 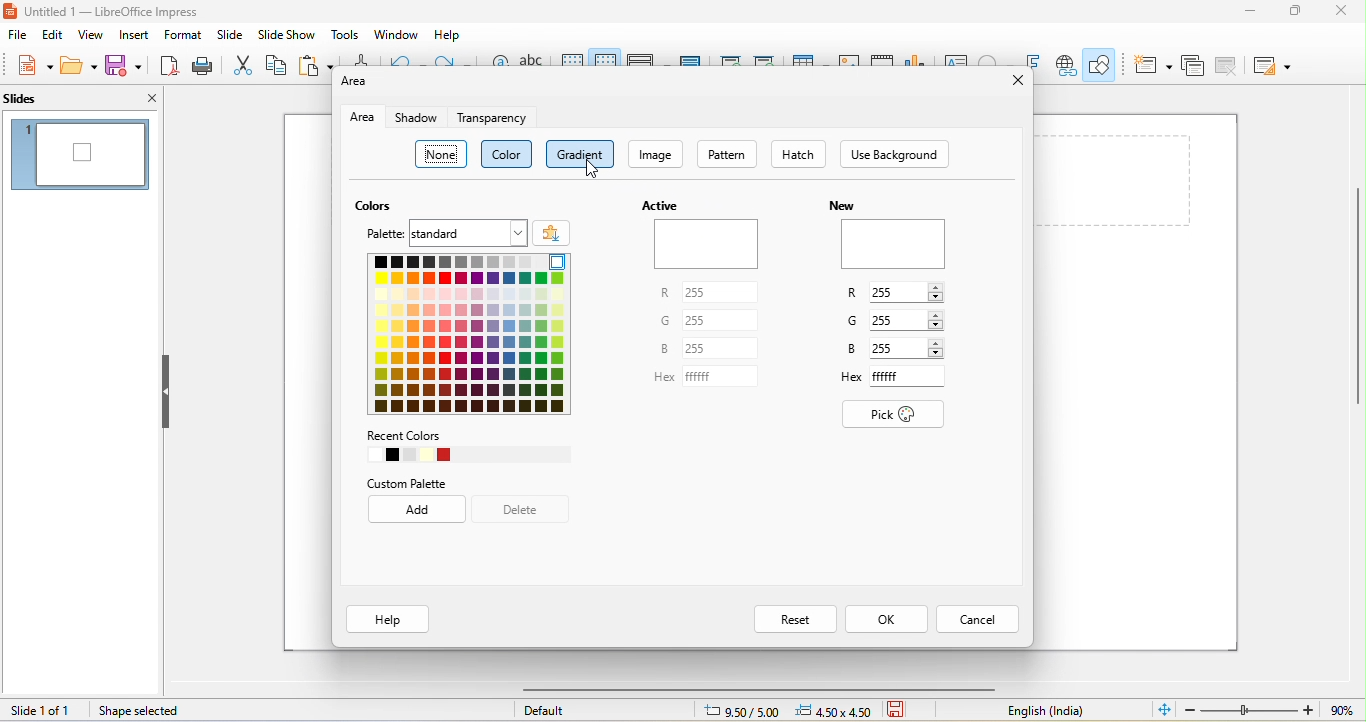 I want to click on B, so click(x=854, y=349).